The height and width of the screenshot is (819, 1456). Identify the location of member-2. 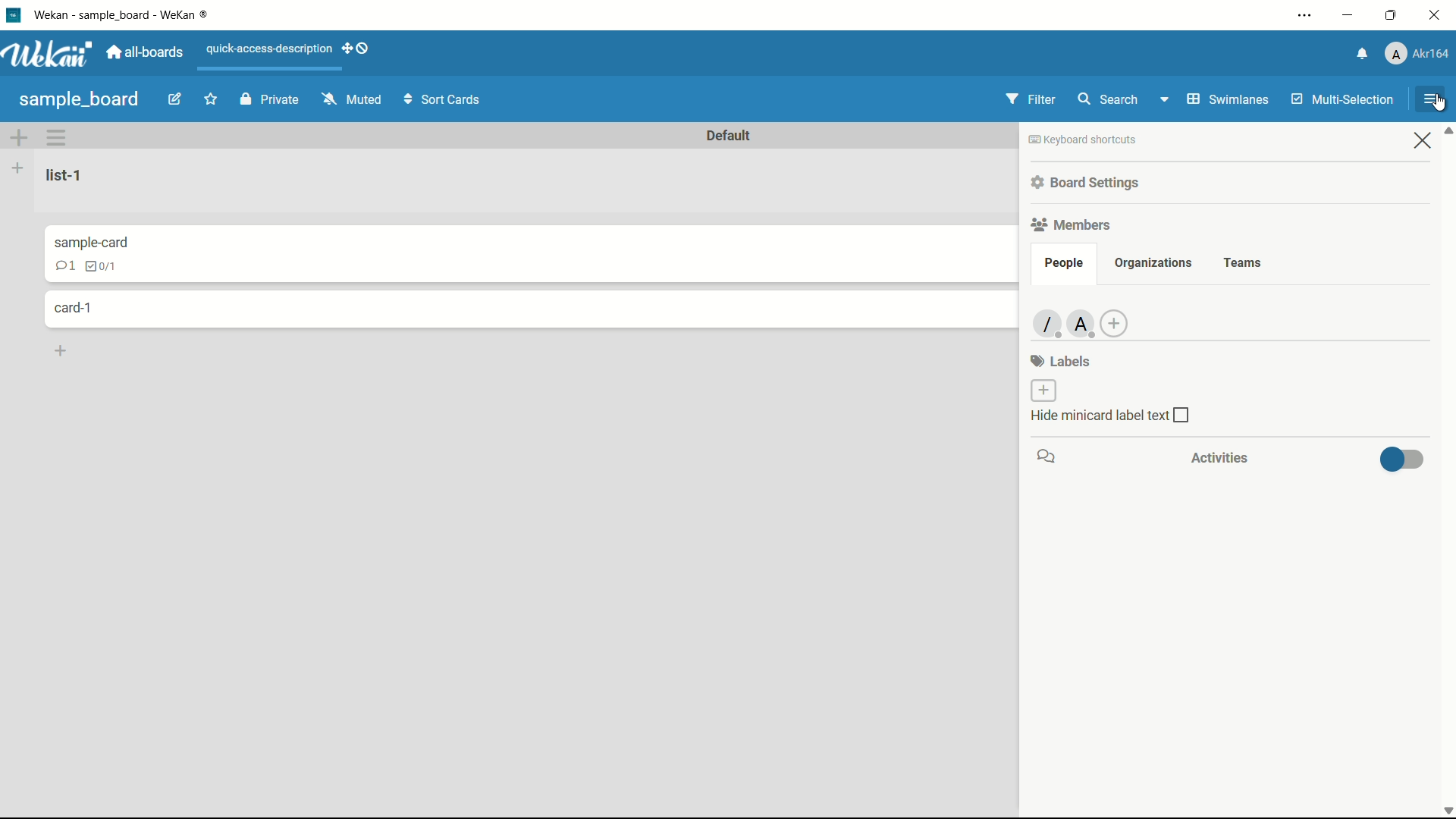
(1081, 324).